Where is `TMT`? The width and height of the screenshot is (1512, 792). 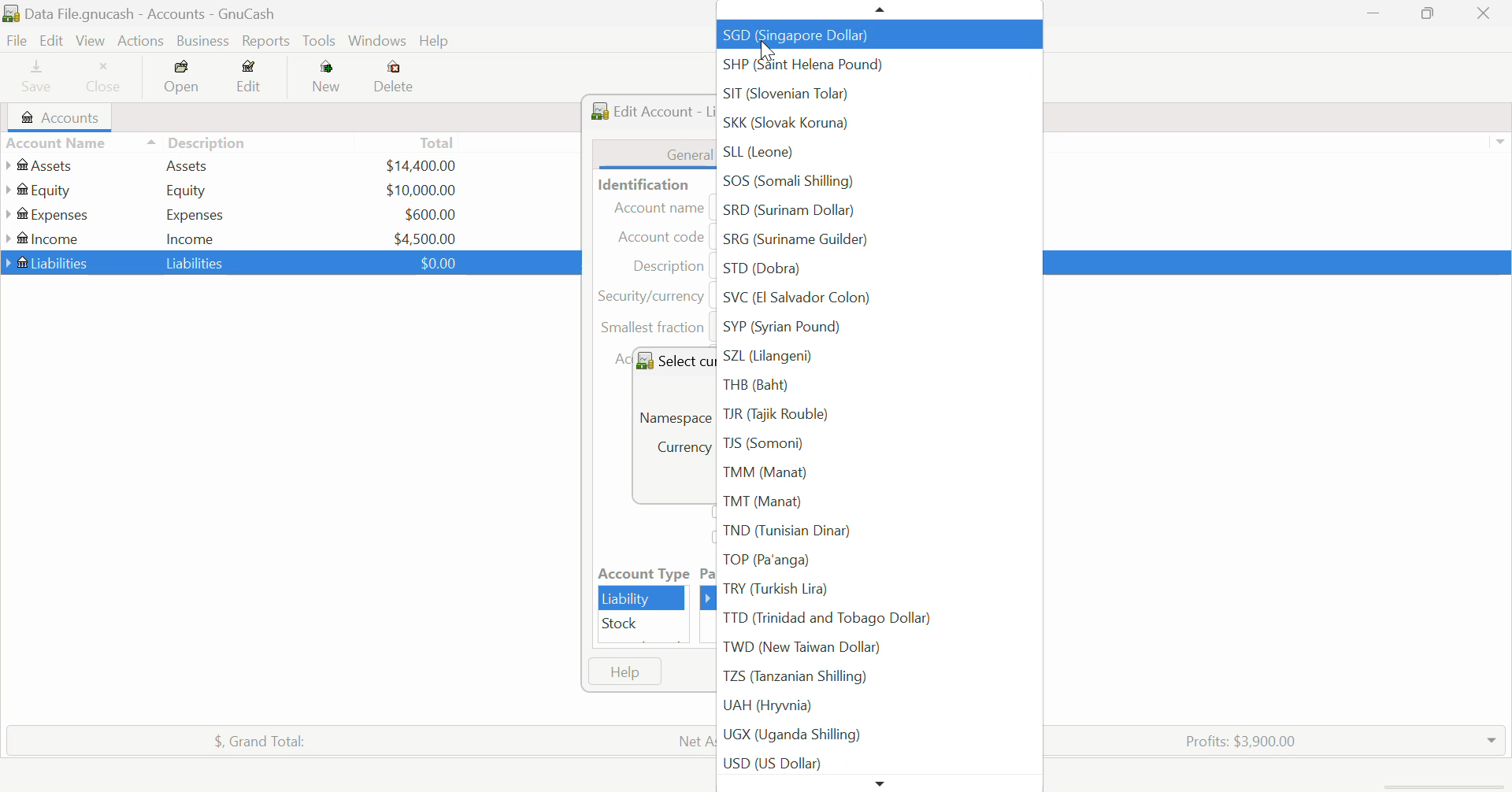 TMT is located at coordinates (877, 502).